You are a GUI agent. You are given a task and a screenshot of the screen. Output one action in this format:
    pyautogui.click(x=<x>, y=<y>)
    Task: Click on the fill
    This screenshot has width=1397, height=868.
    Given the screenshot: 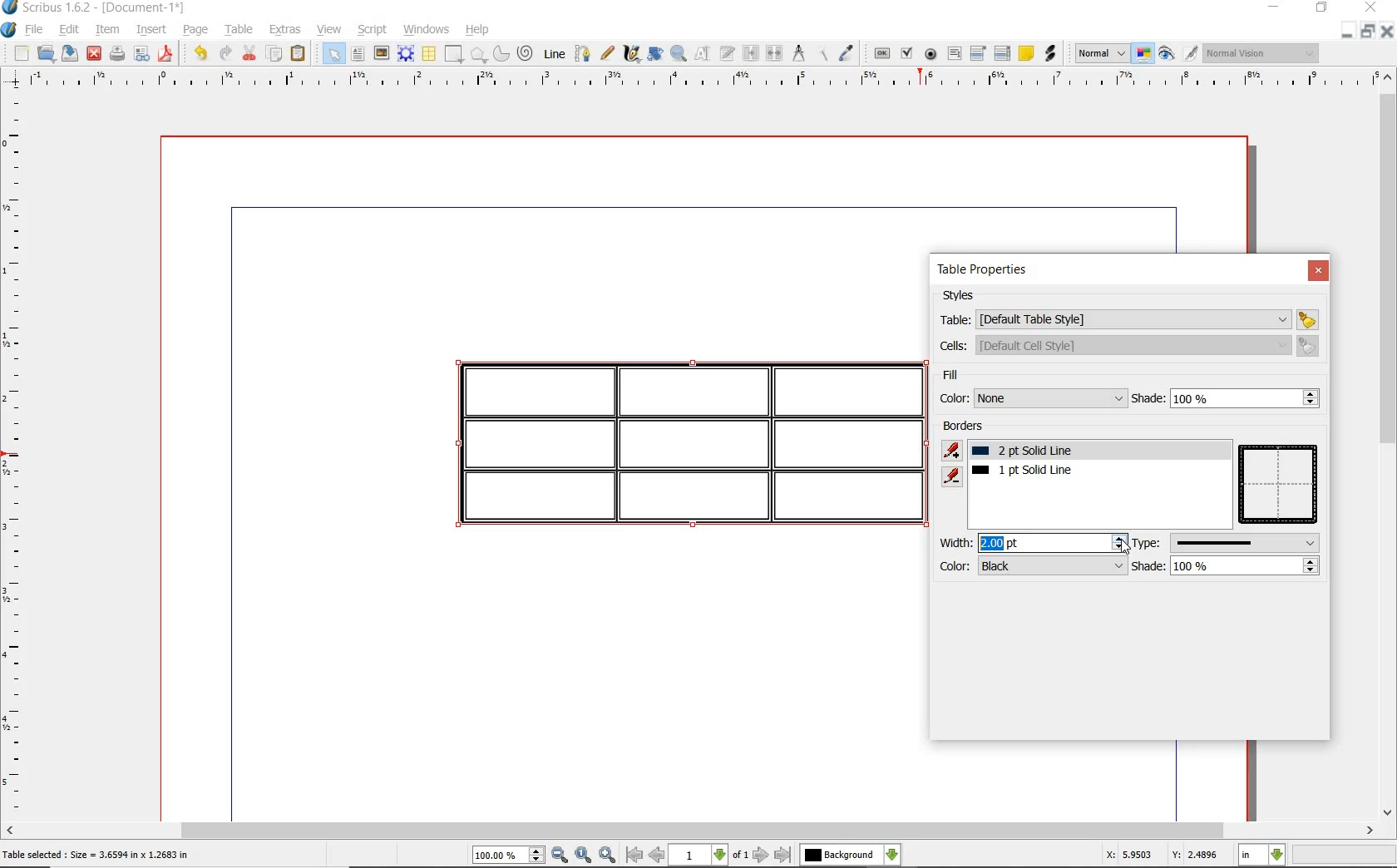 What is the action you would take?
    pyautogui.click(x=974, y=377)
    